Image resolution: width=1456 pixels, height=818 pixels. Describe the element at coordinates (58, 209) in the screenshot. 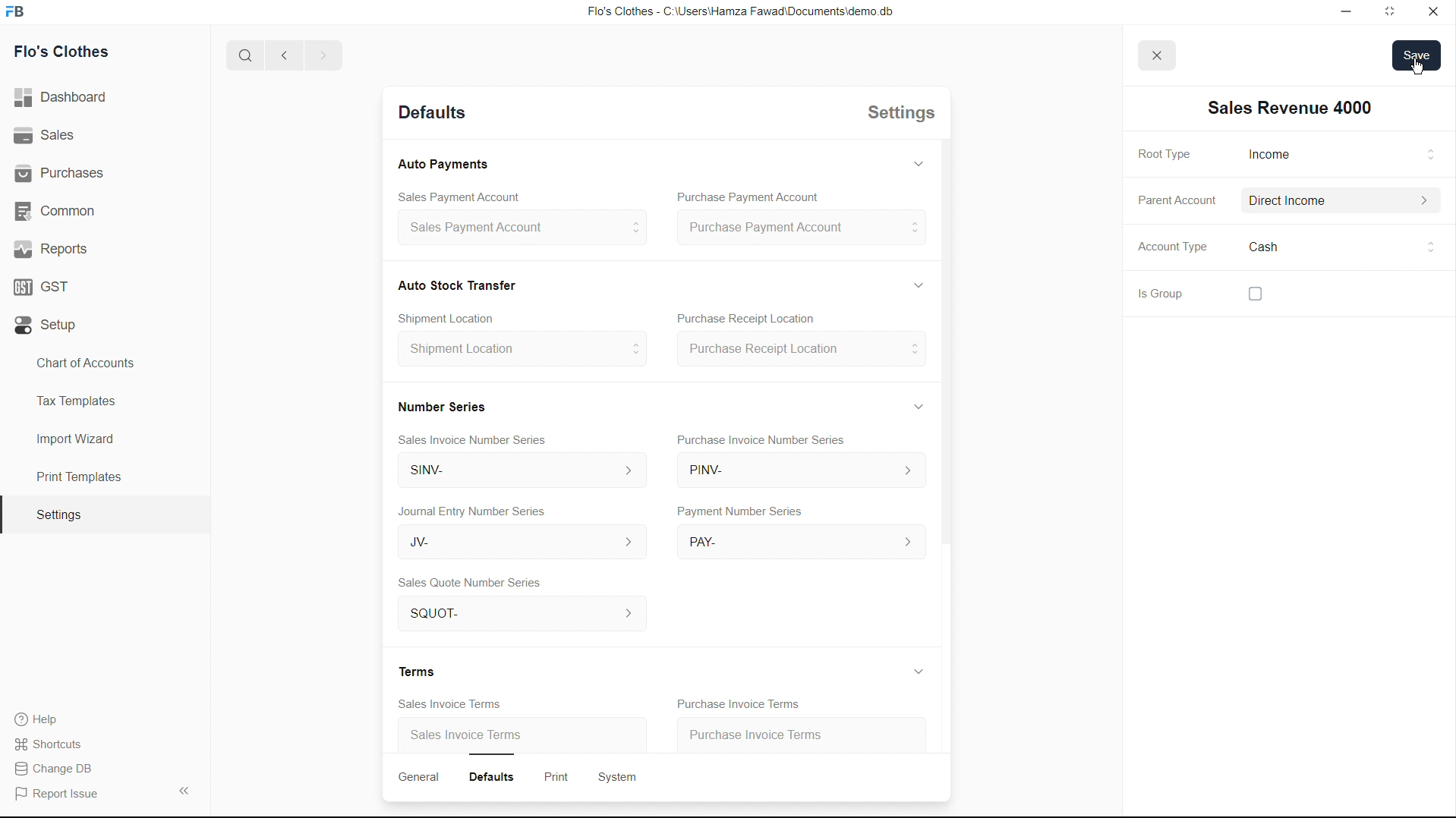

I see `Common` at that location.